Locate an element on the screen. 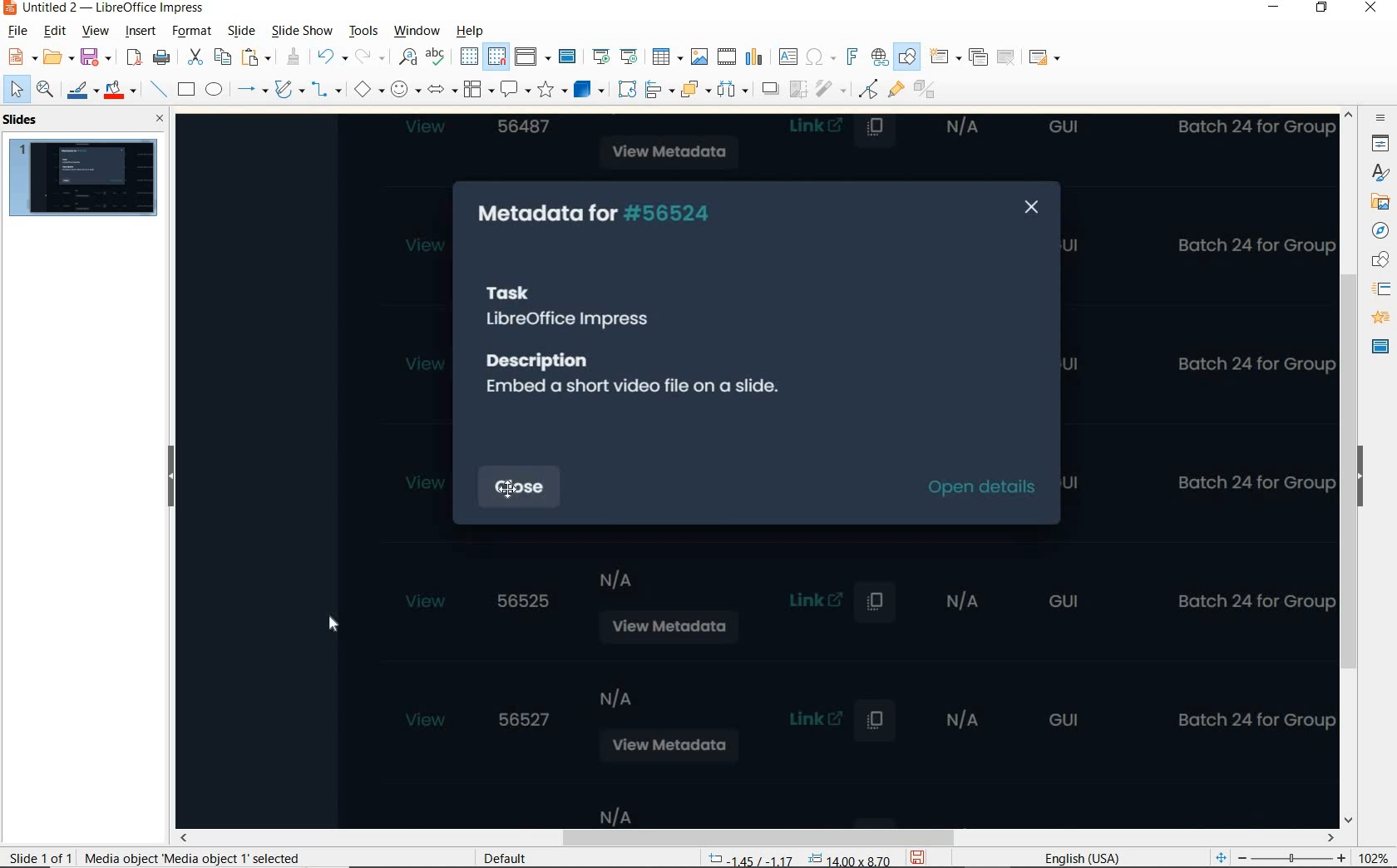 The image size is (1397, 868). TABLE is located at coordinates (669, 57).